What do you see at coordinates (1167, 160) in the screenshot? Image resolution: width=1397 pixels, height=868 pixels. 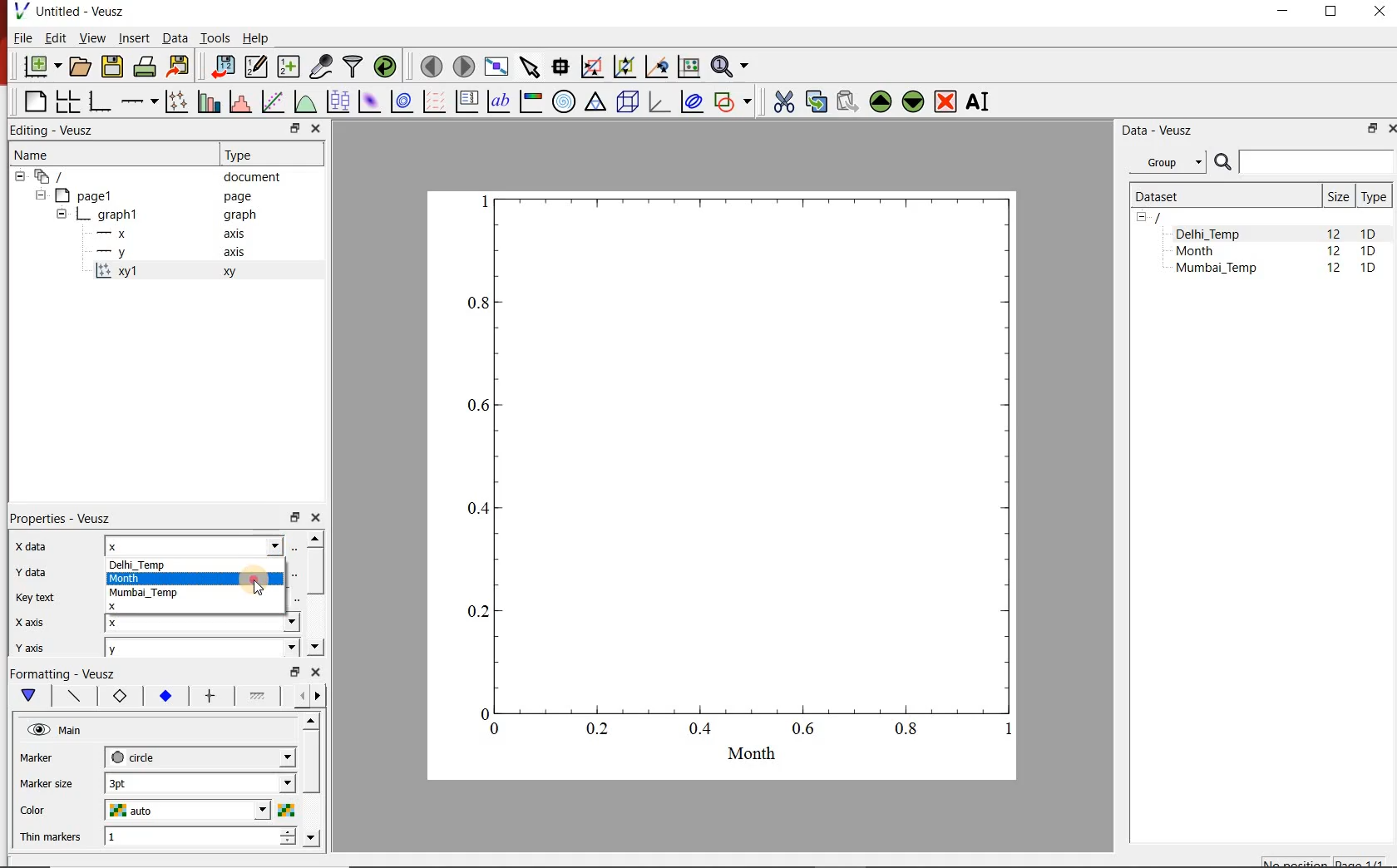 I see `Group` at bounding box center [1167, 160].